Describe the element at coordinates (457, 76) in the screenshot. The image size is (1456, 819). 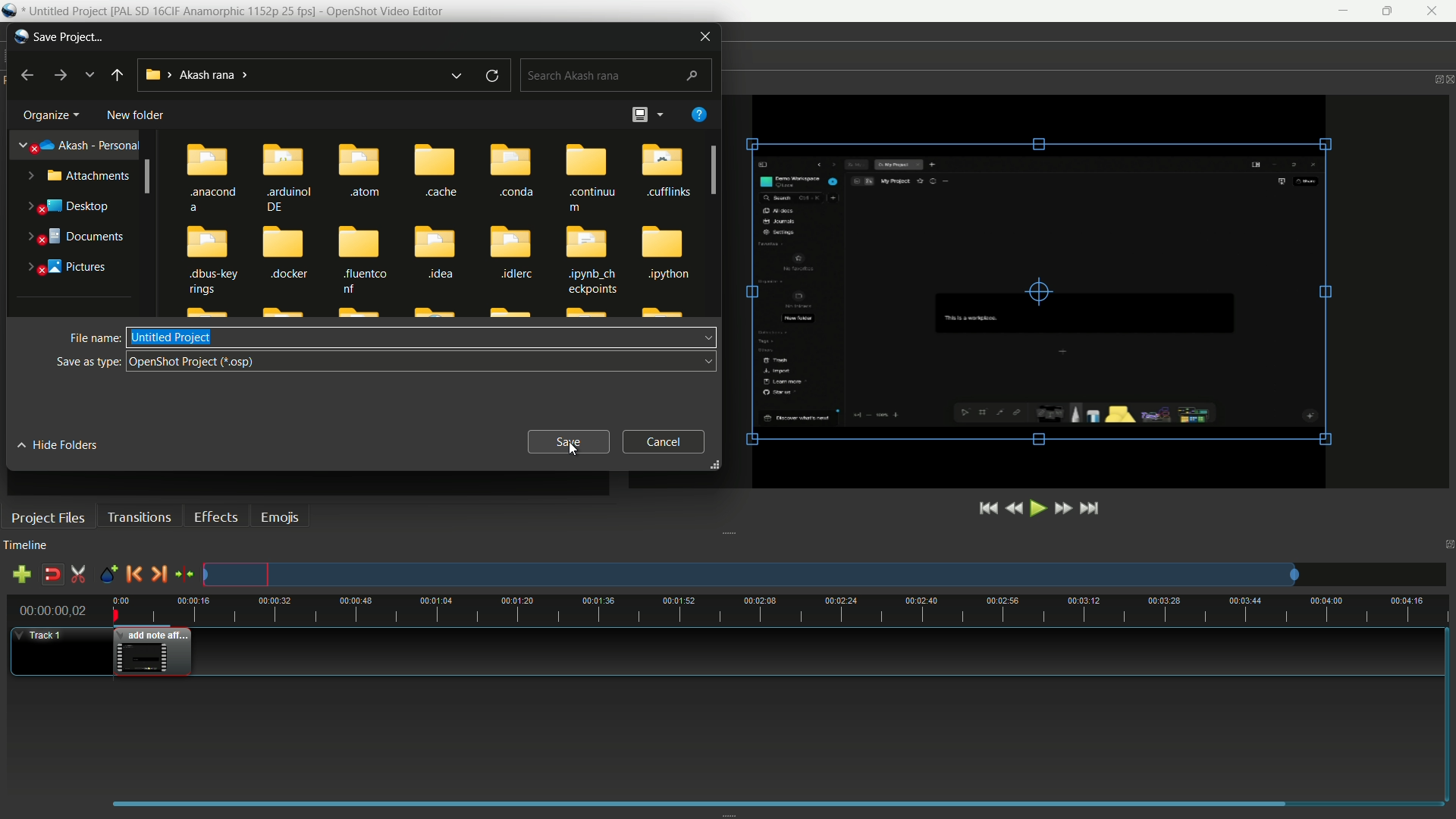
I see `previous location` at that location.